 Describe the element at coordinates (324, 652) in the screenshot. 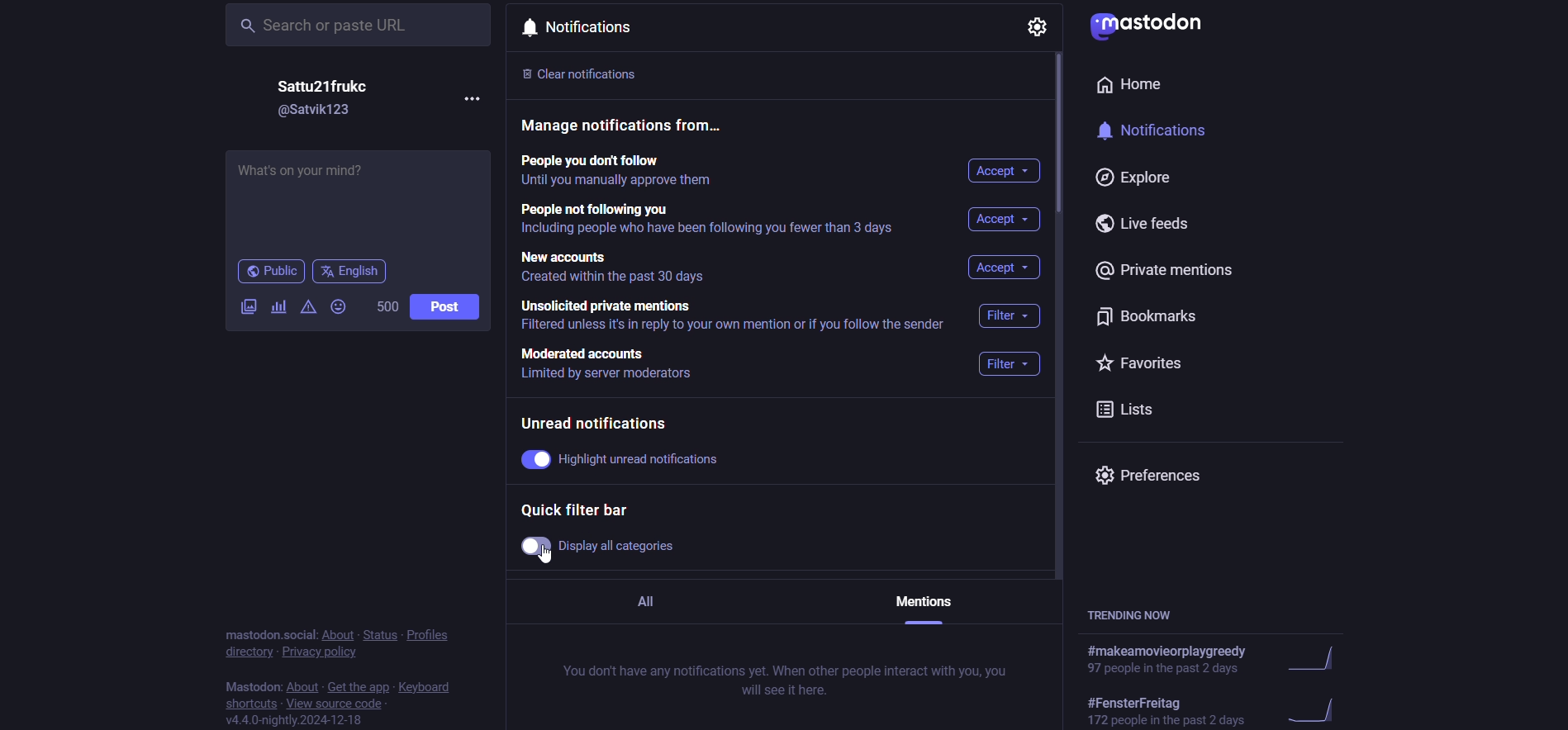

I see `privacy policy` at that location.